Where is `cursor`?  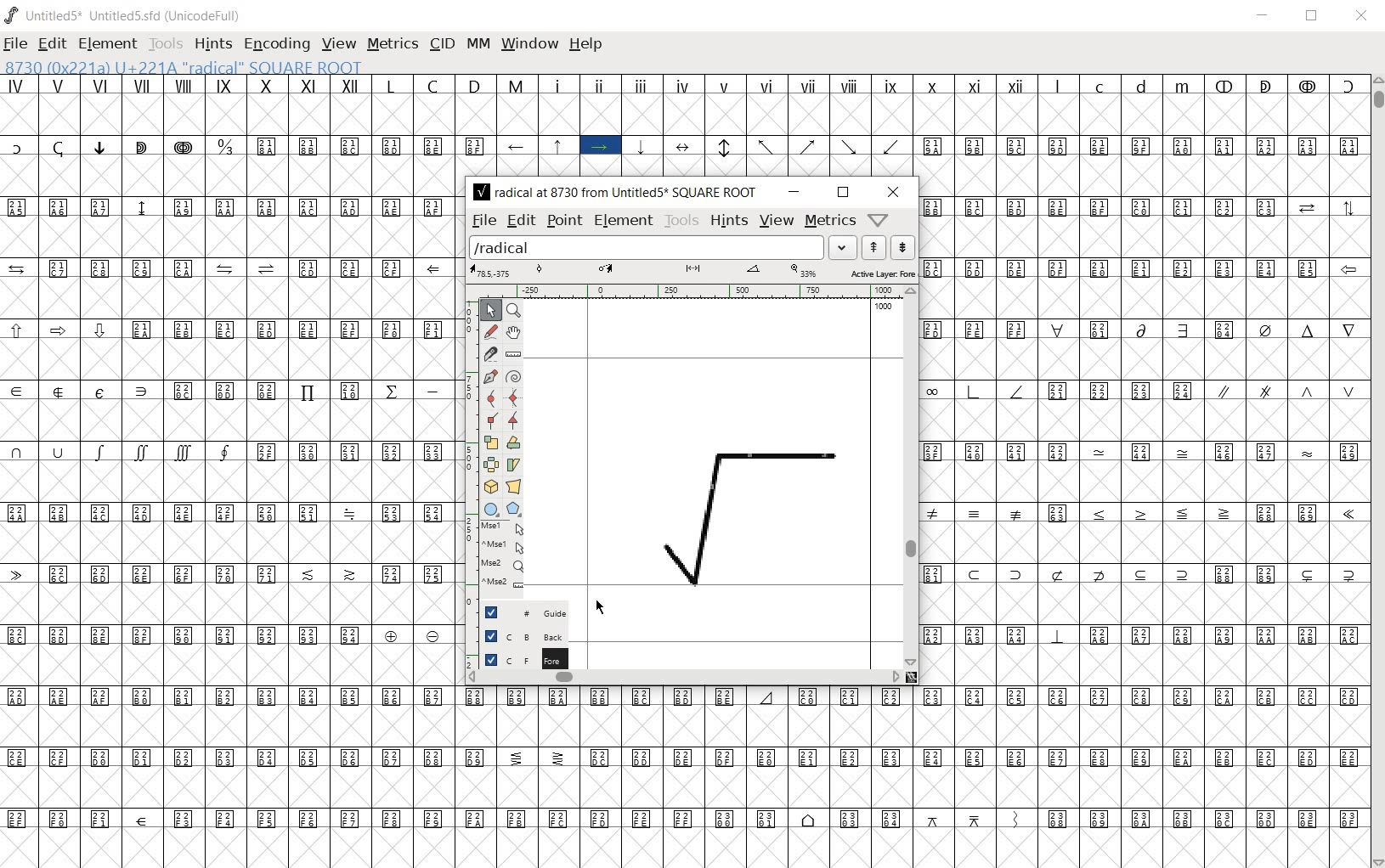
cursor is located at coordinates (600, 610).